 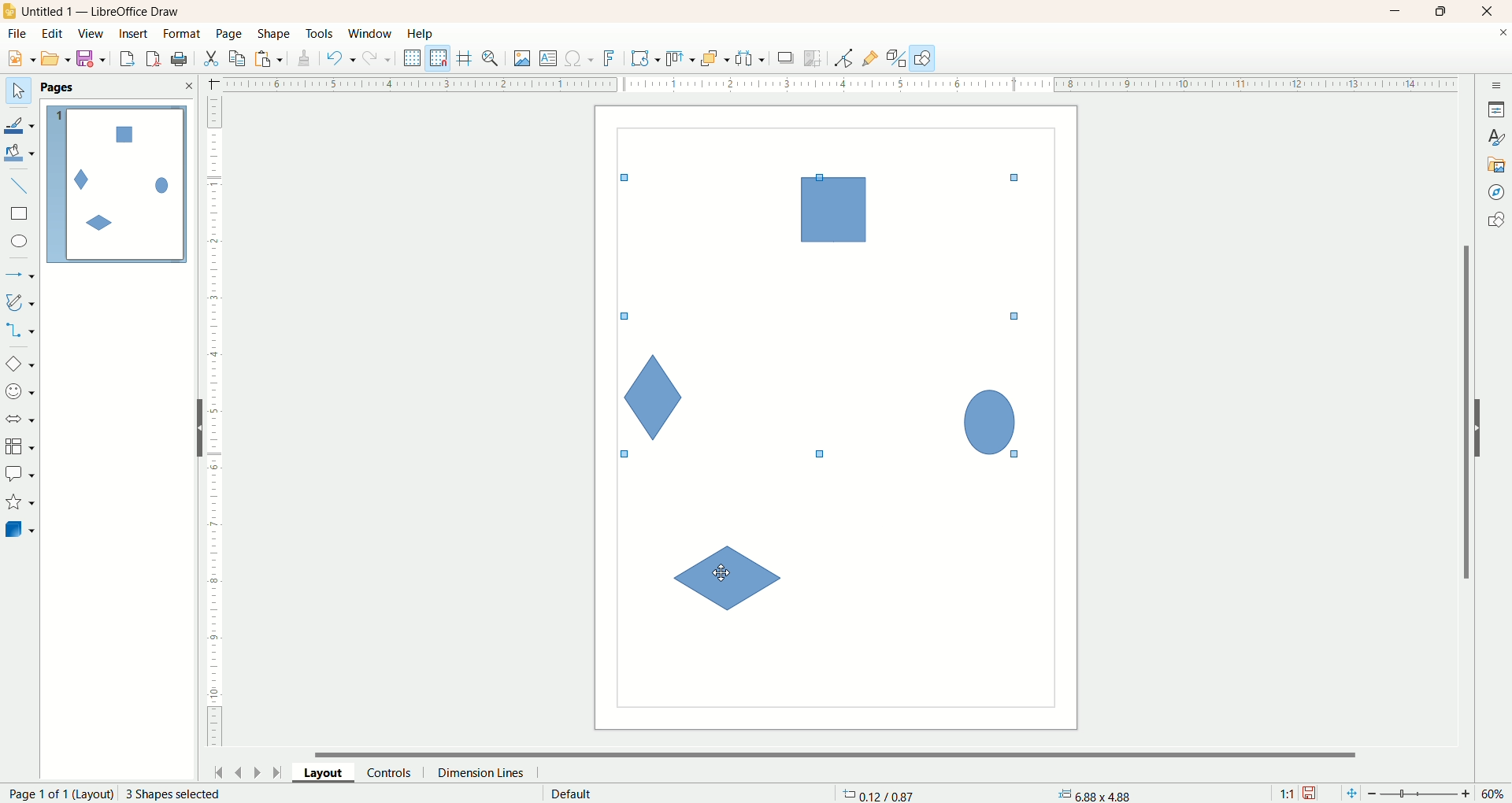 What do you see at coordinates (1287, 794) in the screenshot?
I see `scale factor` at bounding box center [1287, 794].